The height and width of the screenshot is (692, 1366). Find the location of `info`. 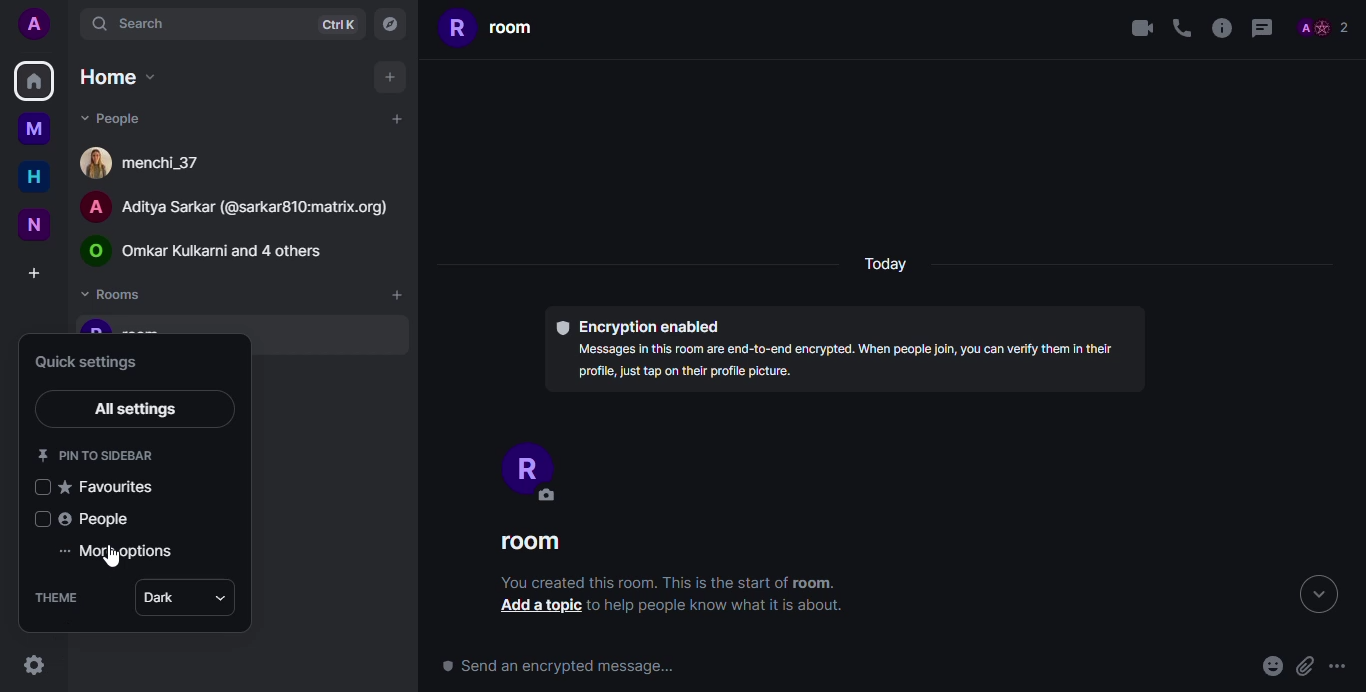

info is located at coordinates (670, 582).